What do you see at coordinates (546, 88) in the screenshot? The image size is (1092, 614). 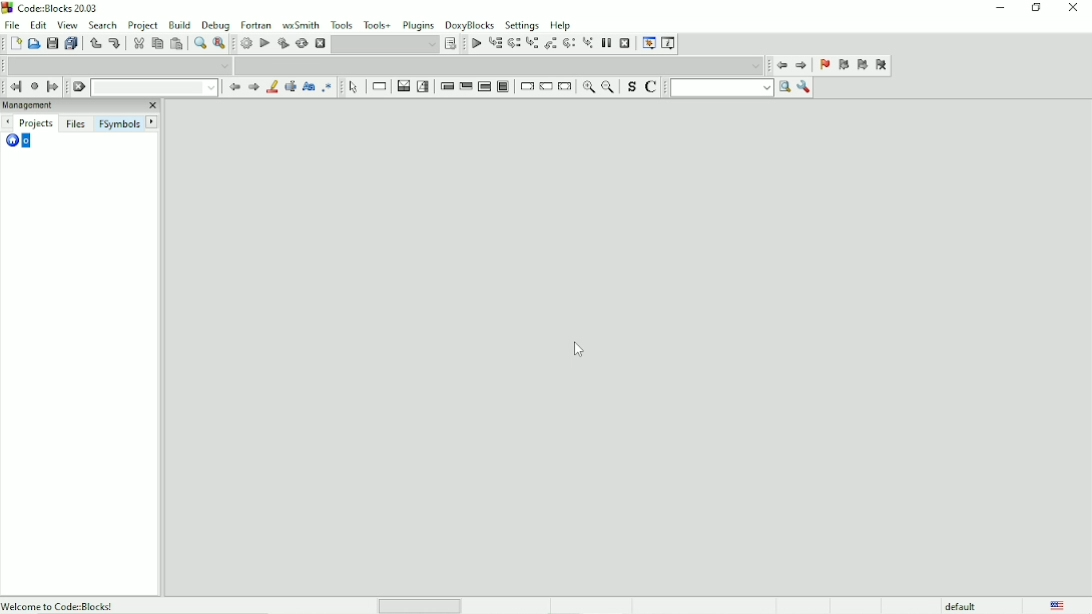 I see `Continue instruction` at bounding box center [546, 88].